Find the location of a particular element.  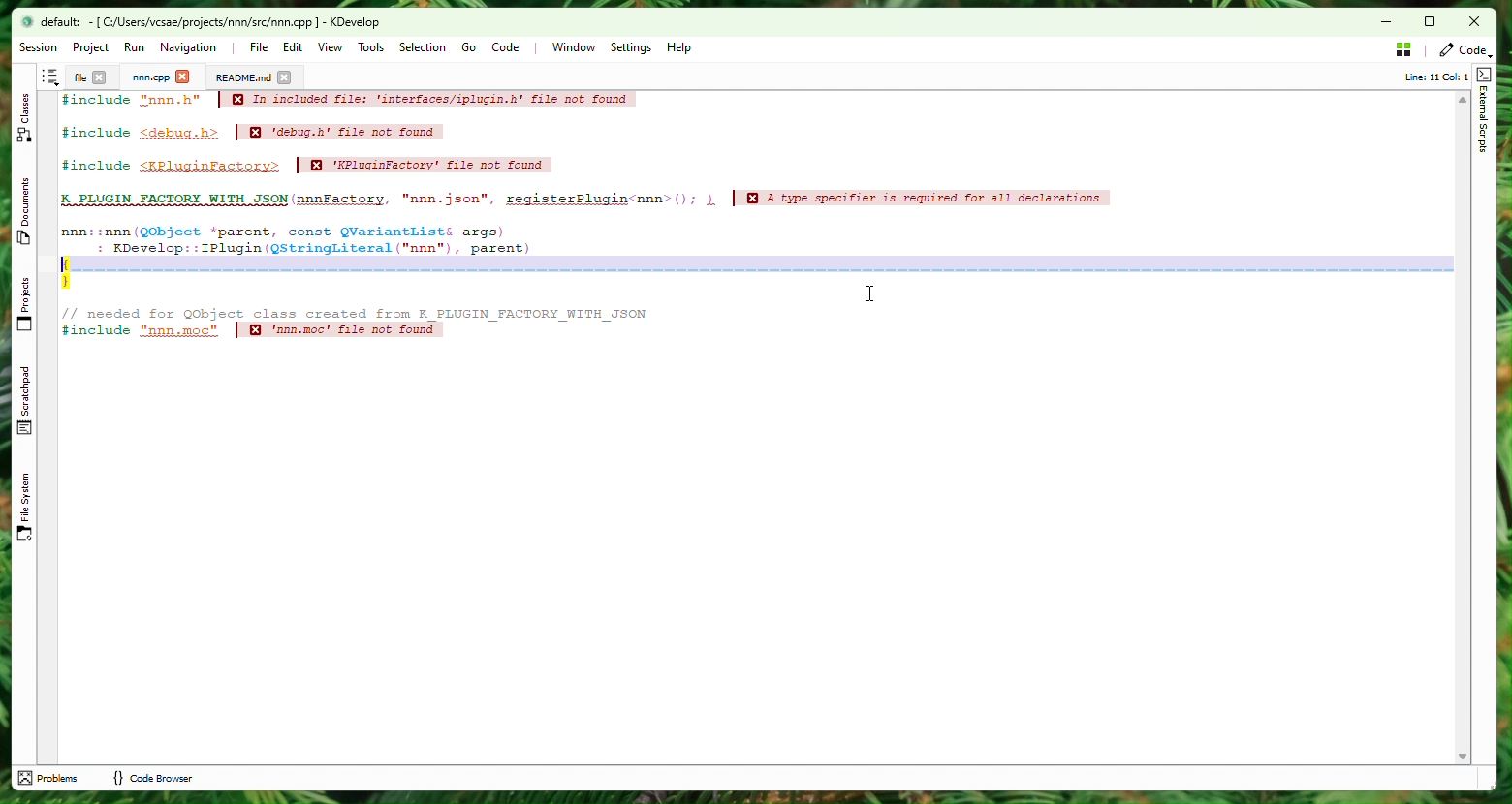

code browser is located at coordinates (152, 778).